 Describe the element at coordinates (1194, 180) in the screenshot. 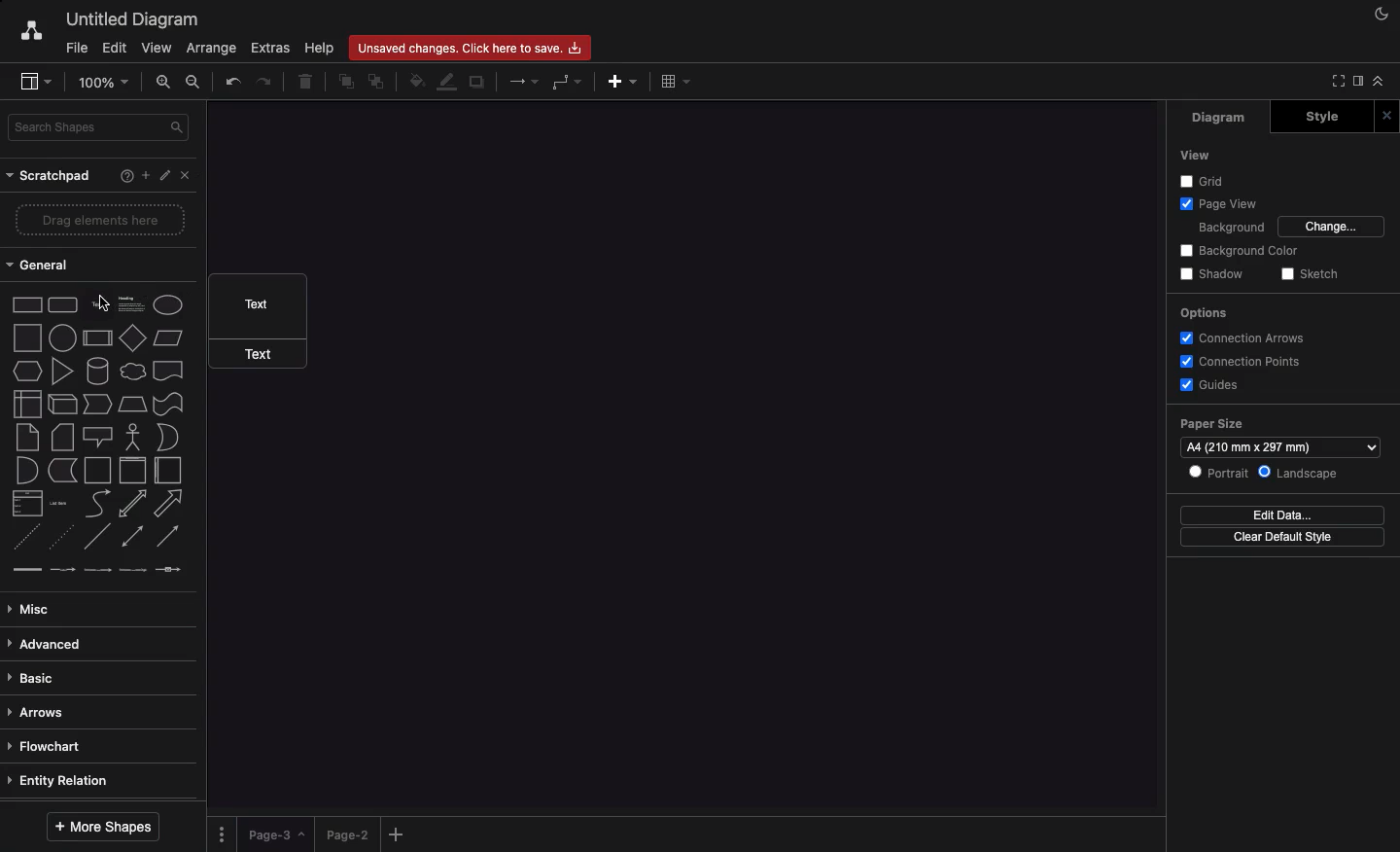

I see `Grid` at that location.